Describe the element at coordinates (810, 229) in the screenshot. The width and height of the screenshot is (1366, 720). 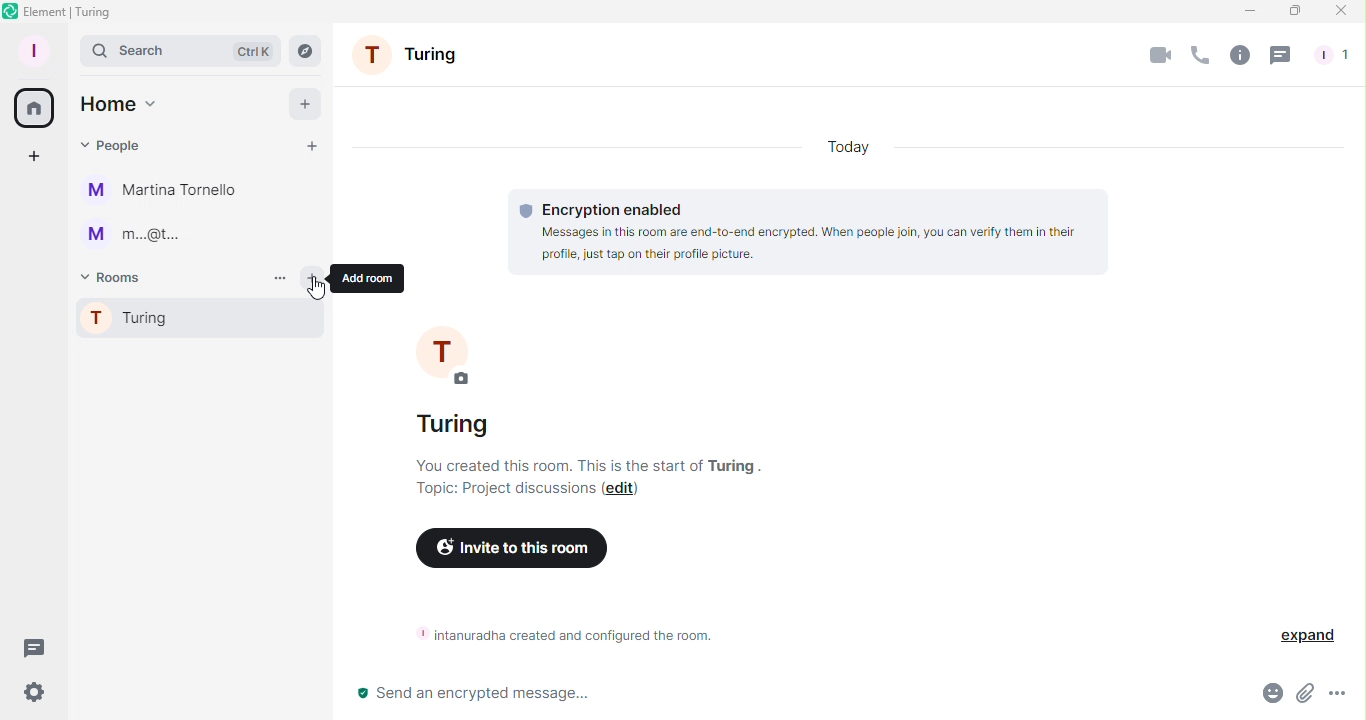
I see `Encryption information` at that location.